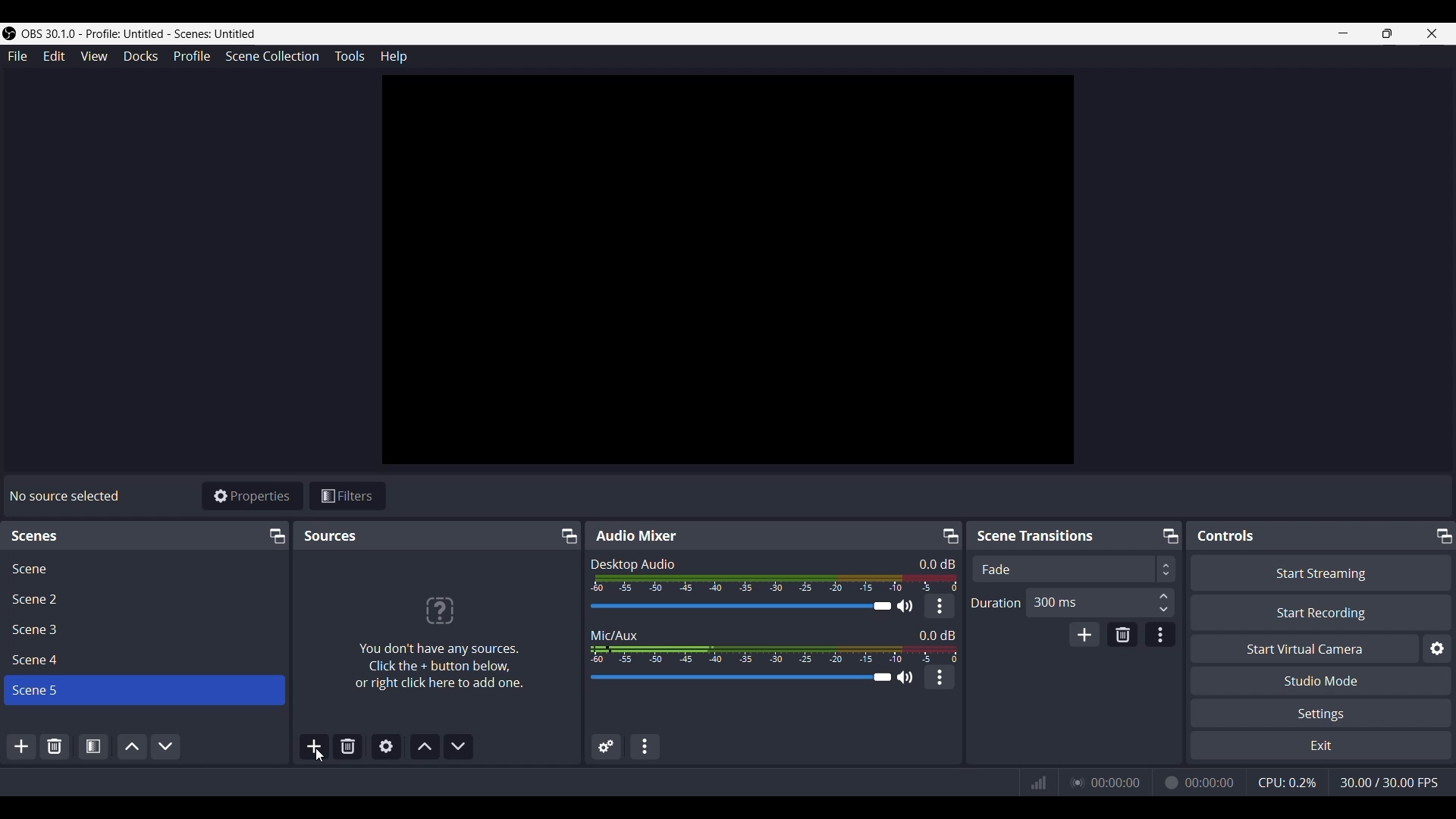 The image size is (1456, 819). I want to click on Streaming, so click(1075, 783).